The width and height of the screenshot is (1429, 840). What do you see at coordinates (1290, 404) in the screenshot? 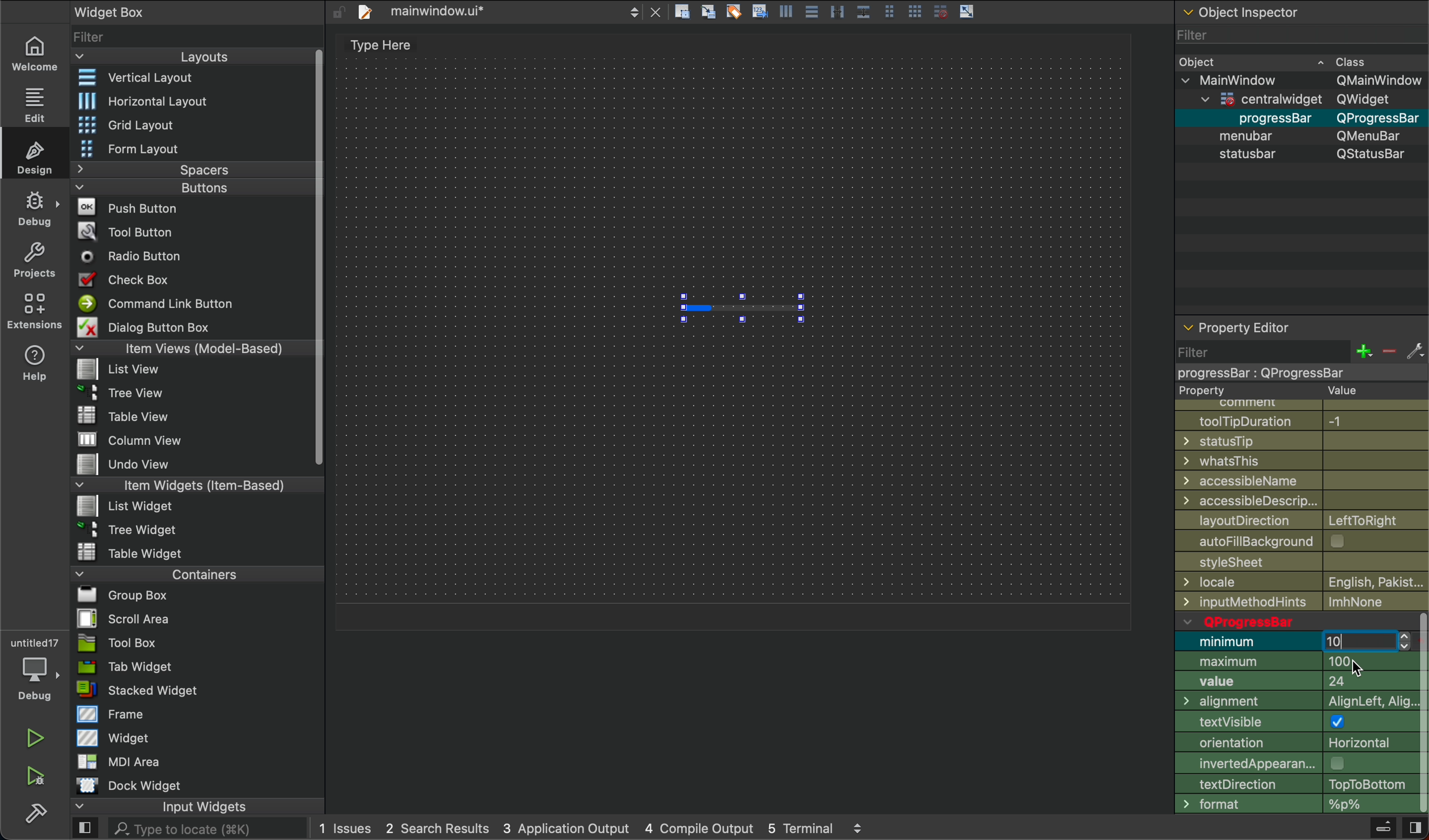
I see `Comment` at bounding box center [1290, 404].